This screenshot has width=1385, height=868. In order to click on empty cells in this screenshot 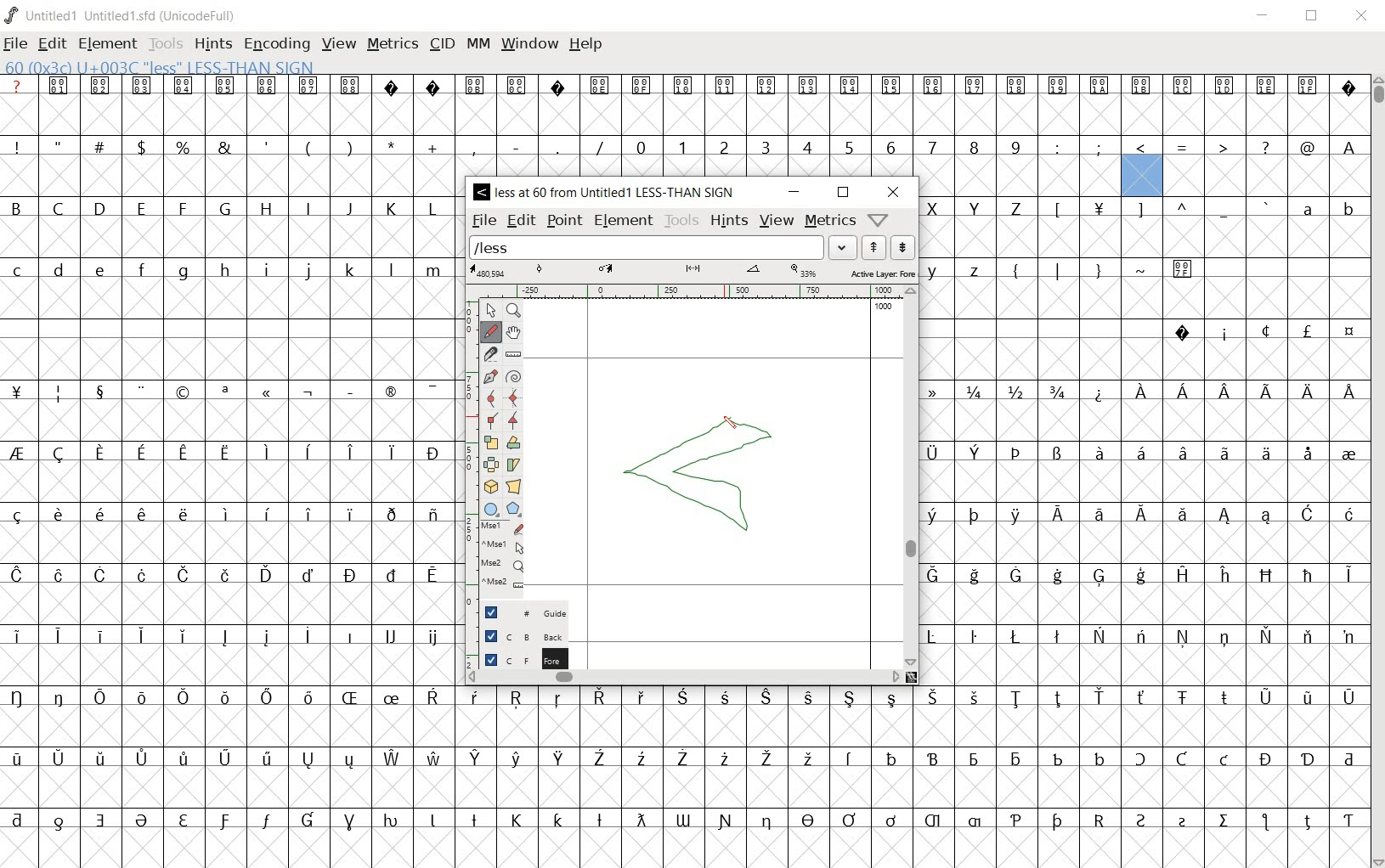, I will do `click(1136, 420)`.